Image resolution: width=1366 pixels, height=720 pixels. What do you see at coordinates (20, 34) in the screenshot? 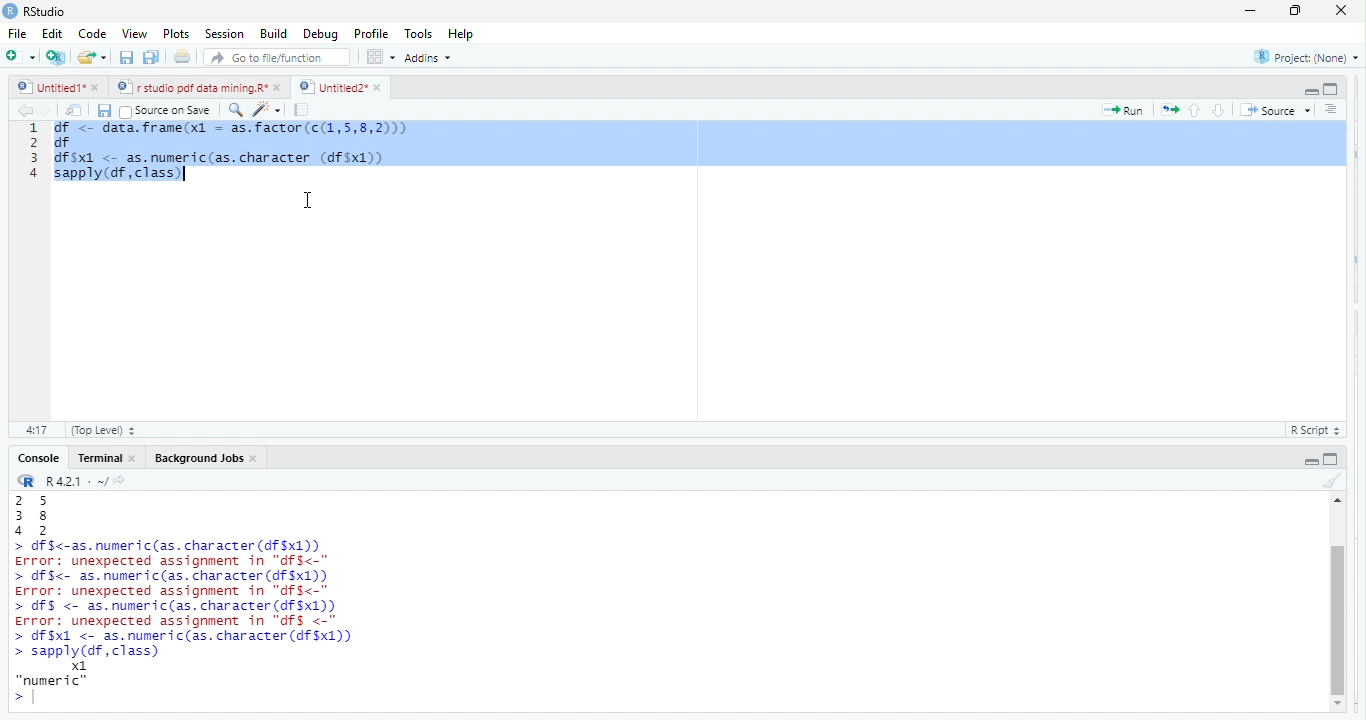
I see `file` at bounding box center [20, 34].